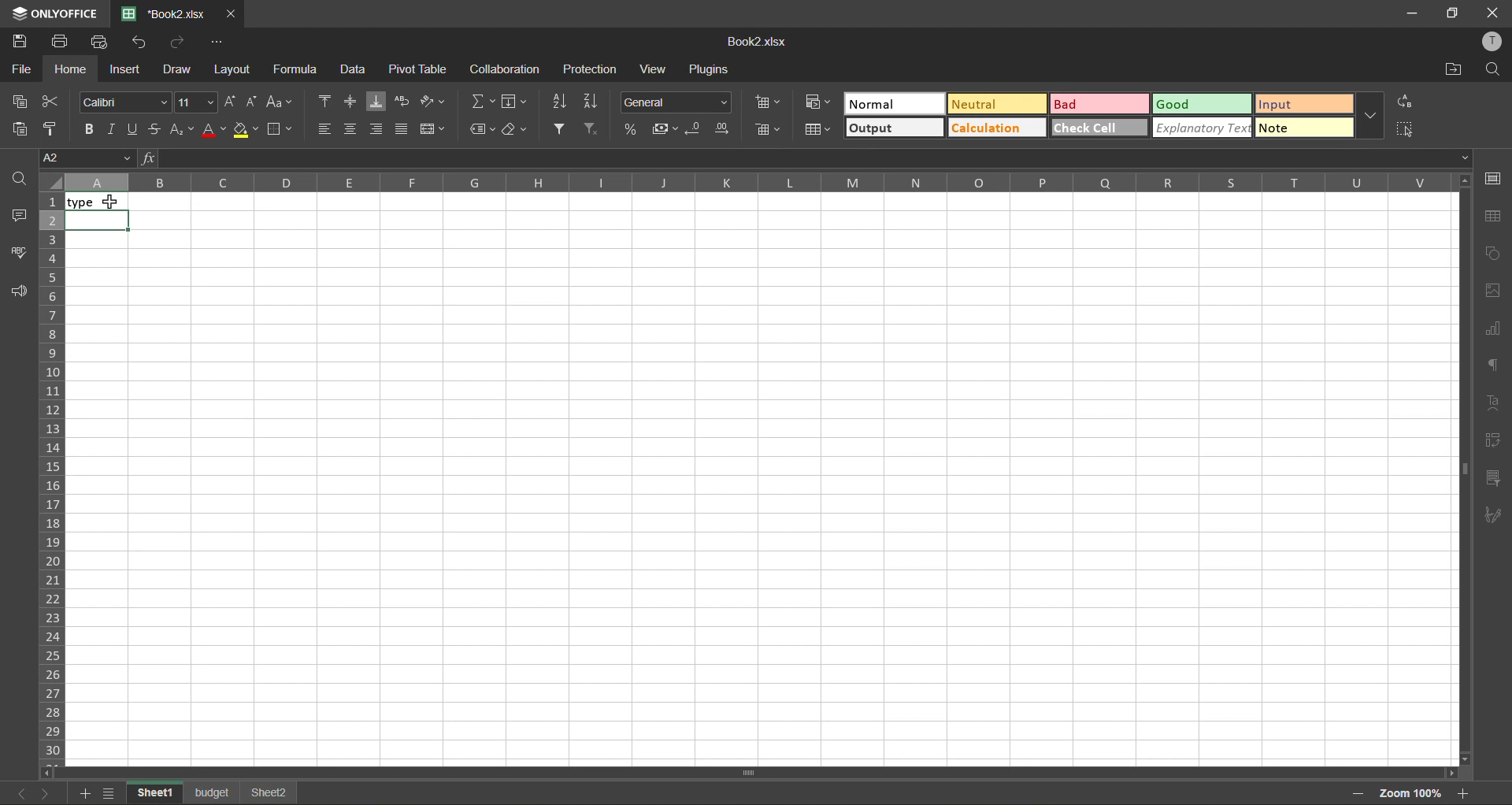 The image size is (1512, 805). I want to click on table, so click(1495, 217).